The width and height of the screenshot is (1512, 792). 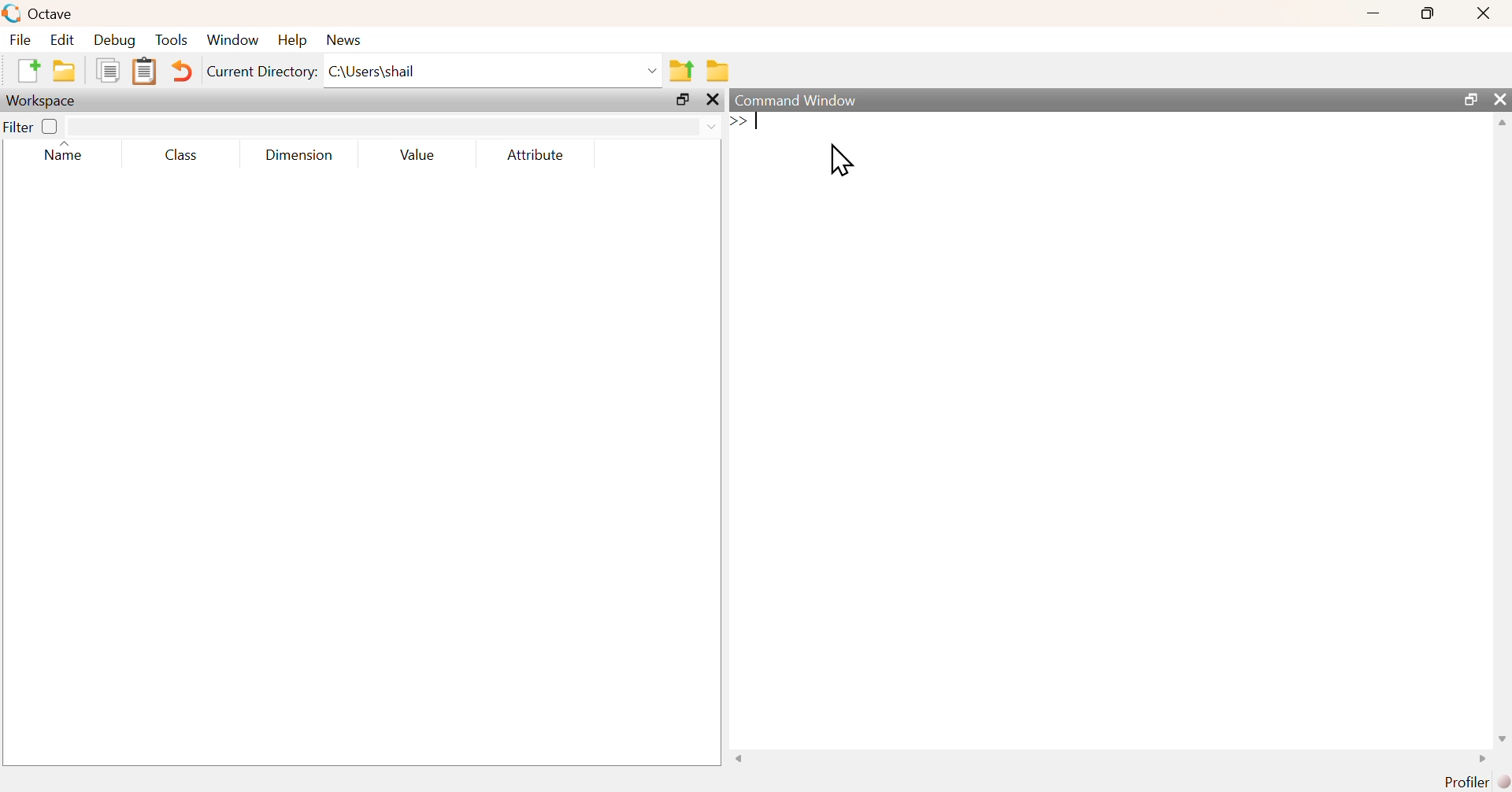 I want to click on File, so click(x=19, y=39).